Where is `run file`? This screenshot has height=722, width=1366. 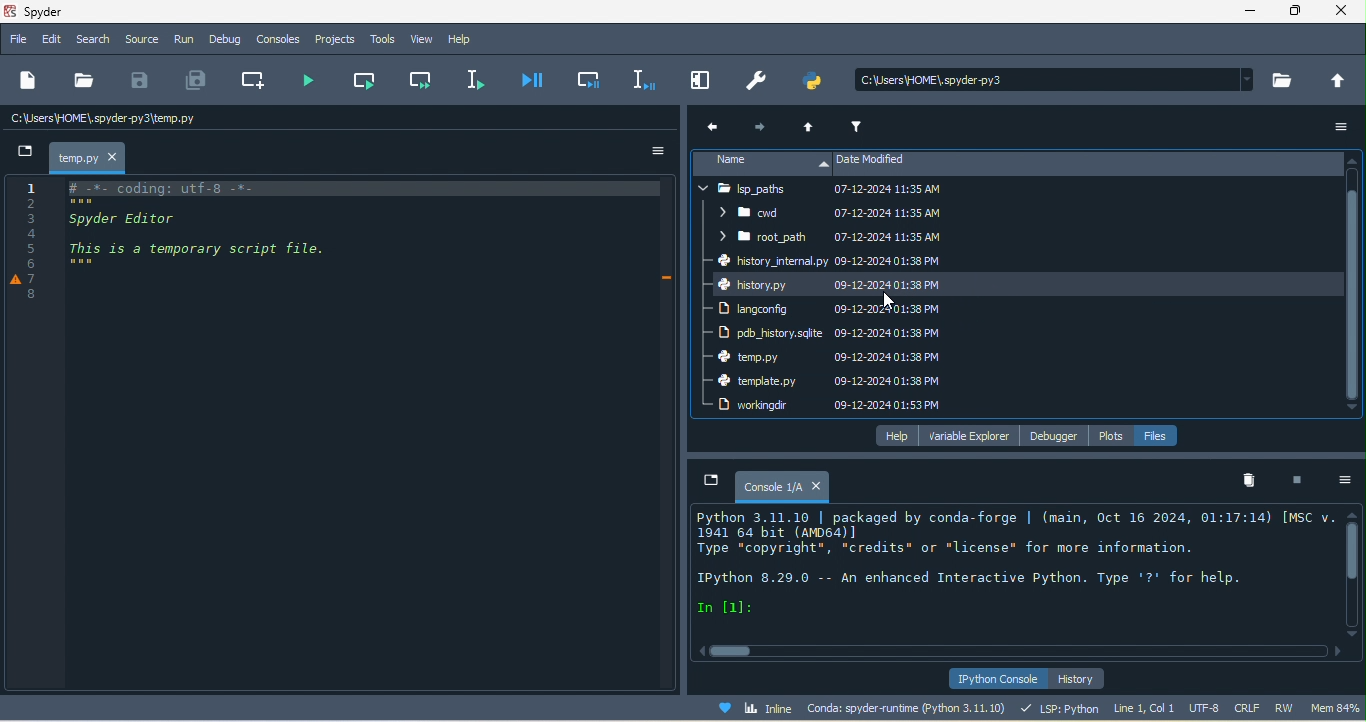 run file is located at coordinates (304, 81).